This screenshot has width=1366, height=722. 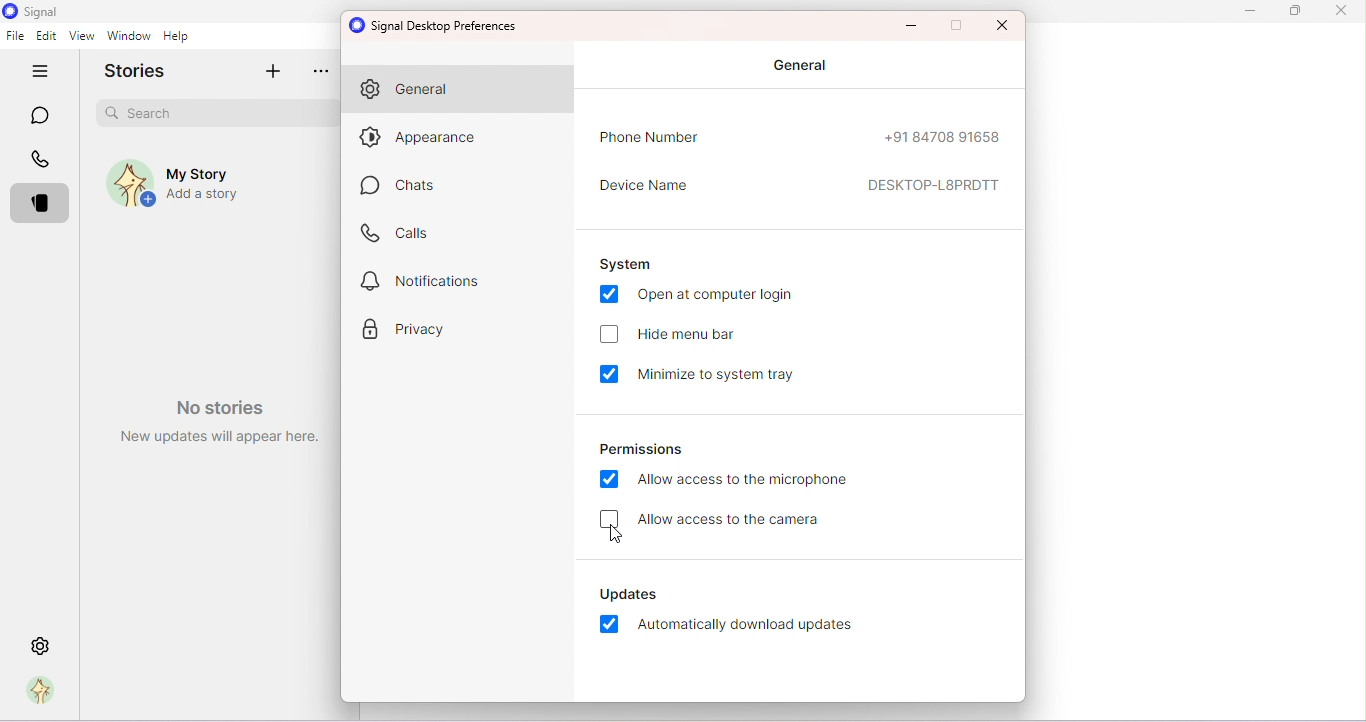 What do you see at coordinates (40, 208) in the screenshot?
I see `Stories` at bounding box center [40, 208].